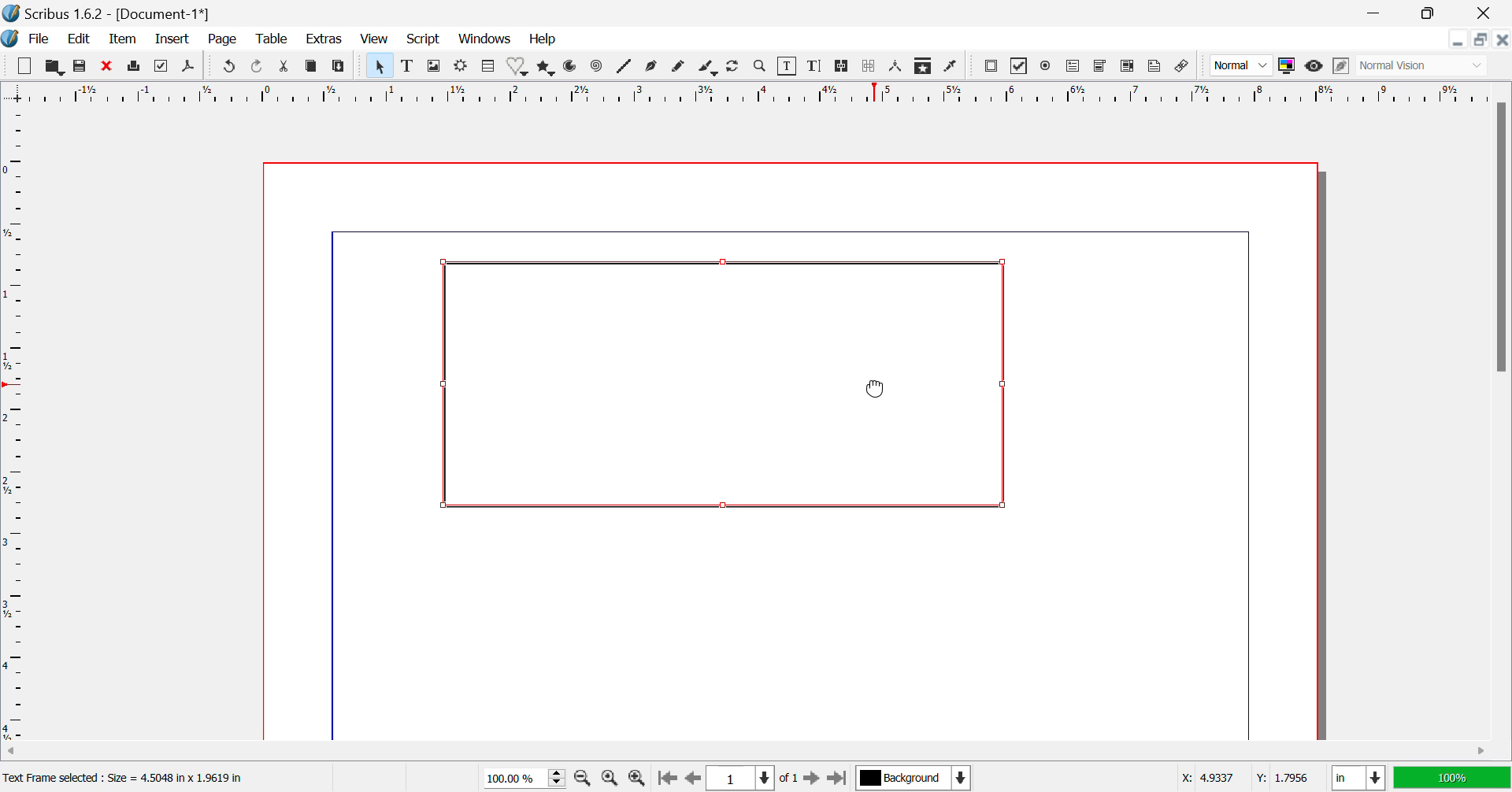  Describe the element at coordinates (1284, 777) in the screenshot. I see `Y: 1.7956` at that location.